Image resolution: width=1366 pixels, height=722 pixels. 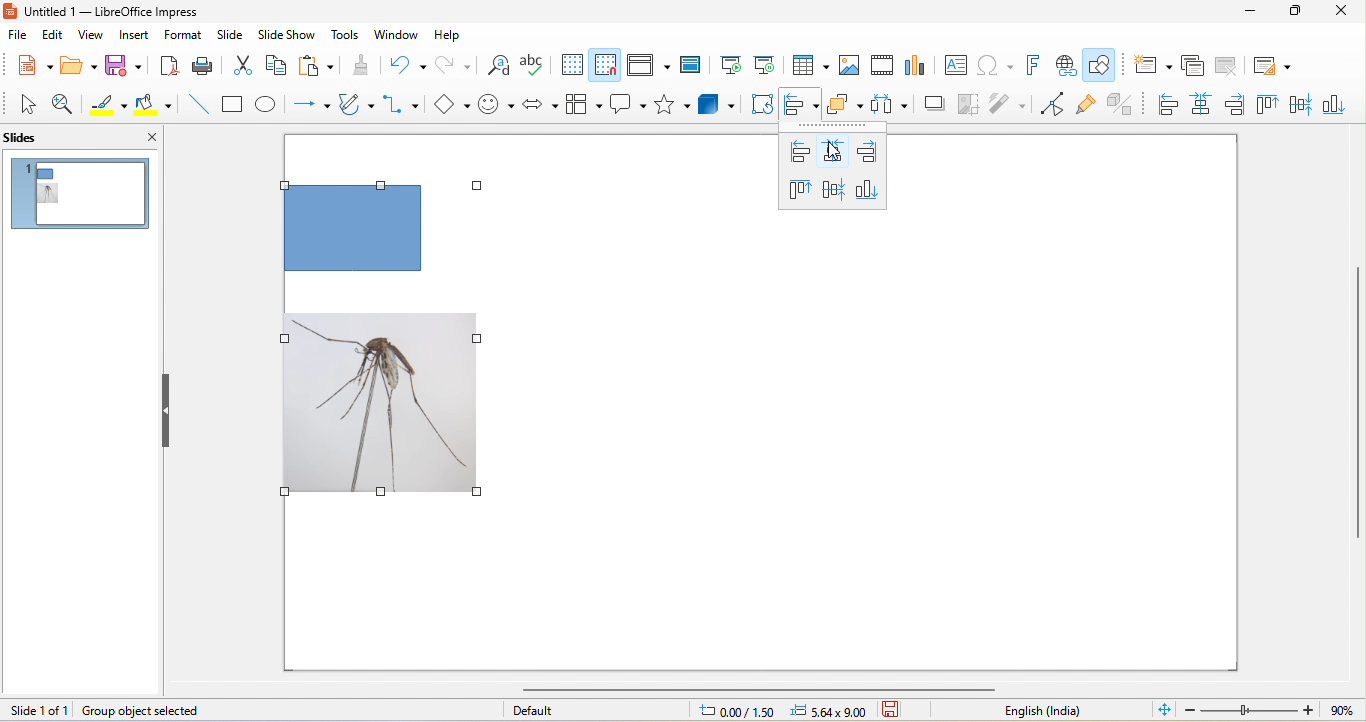 I want to click on table, so click(x=811, y=64).